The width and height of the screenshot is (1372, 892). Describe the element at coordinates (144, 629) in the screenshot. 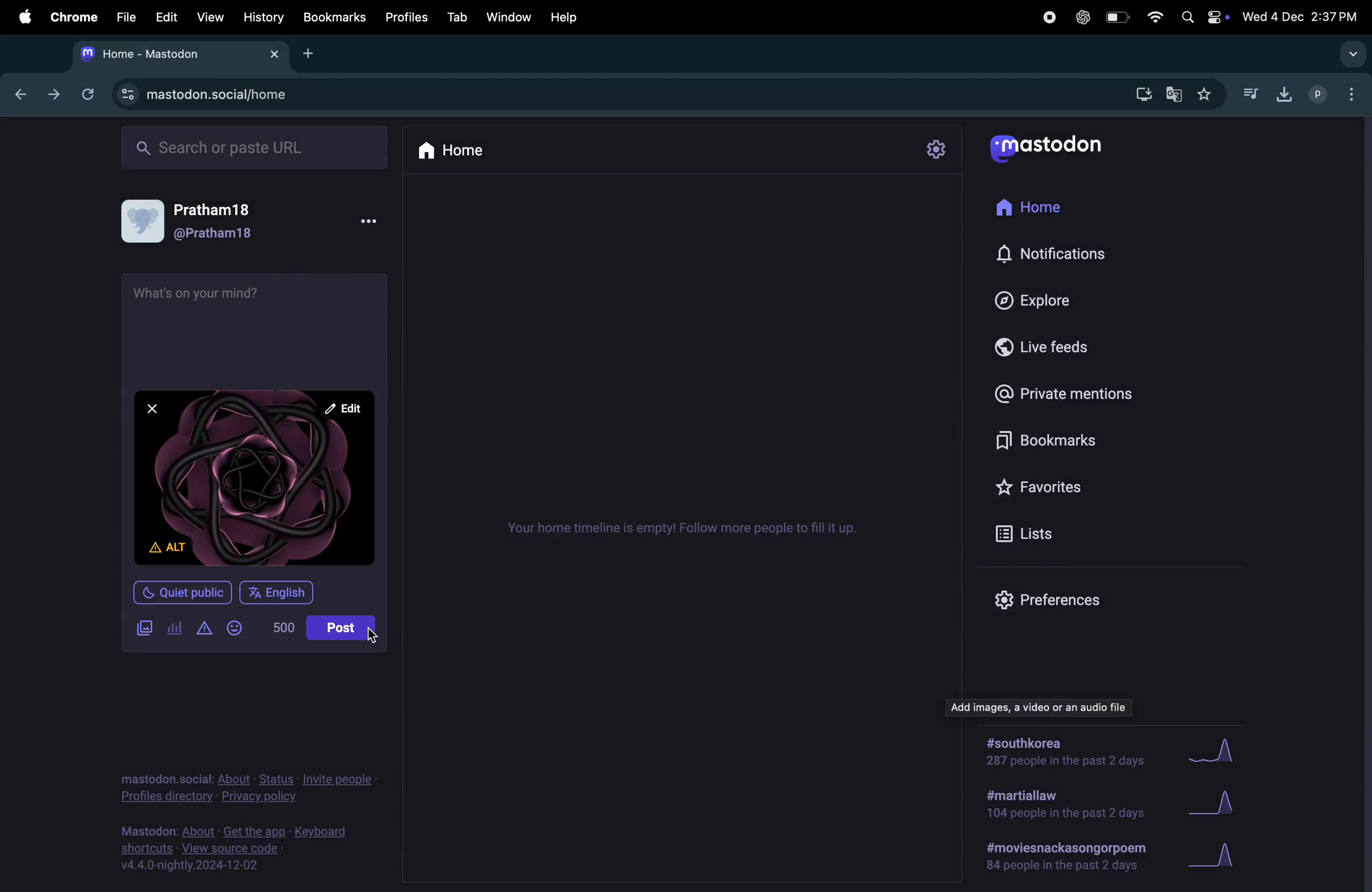

I see `image` at that location.